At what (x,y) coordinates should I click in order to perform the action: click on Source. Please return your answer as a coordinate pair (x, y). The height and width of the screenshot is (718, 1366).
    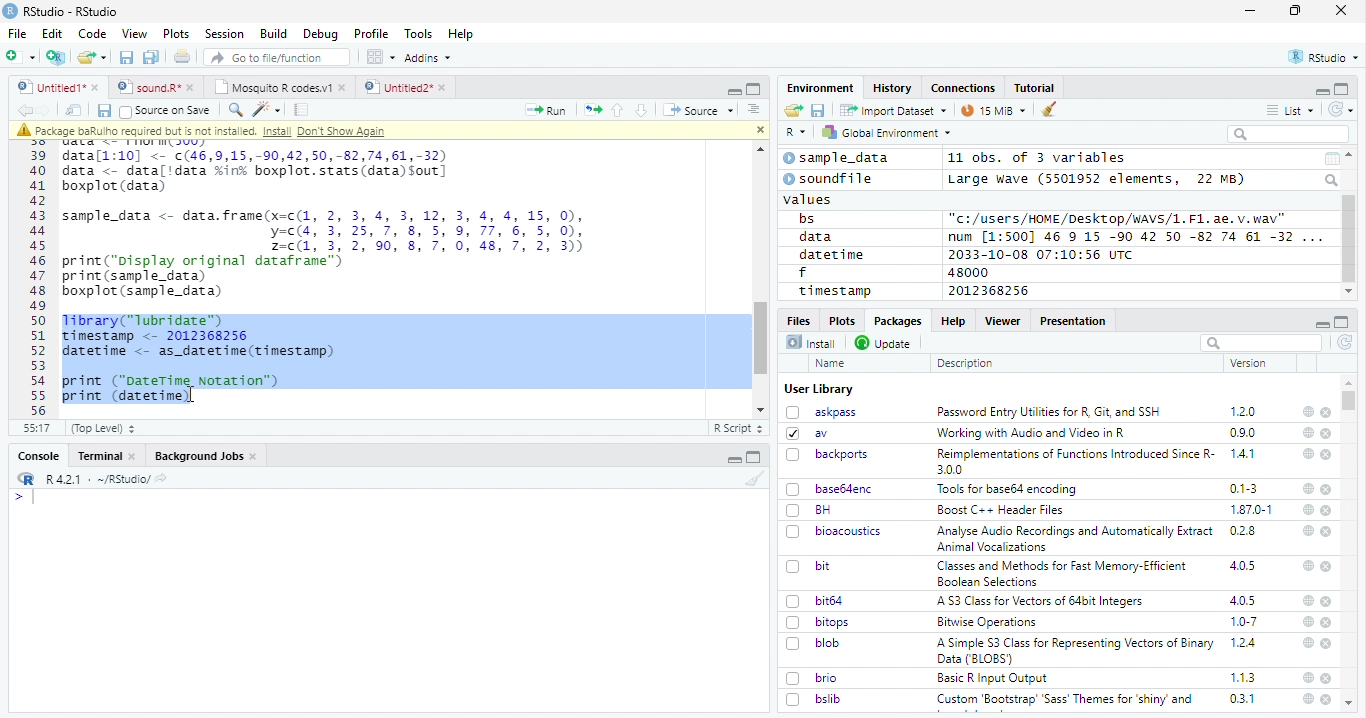
    Looking at the image, I should click on (698, 112).